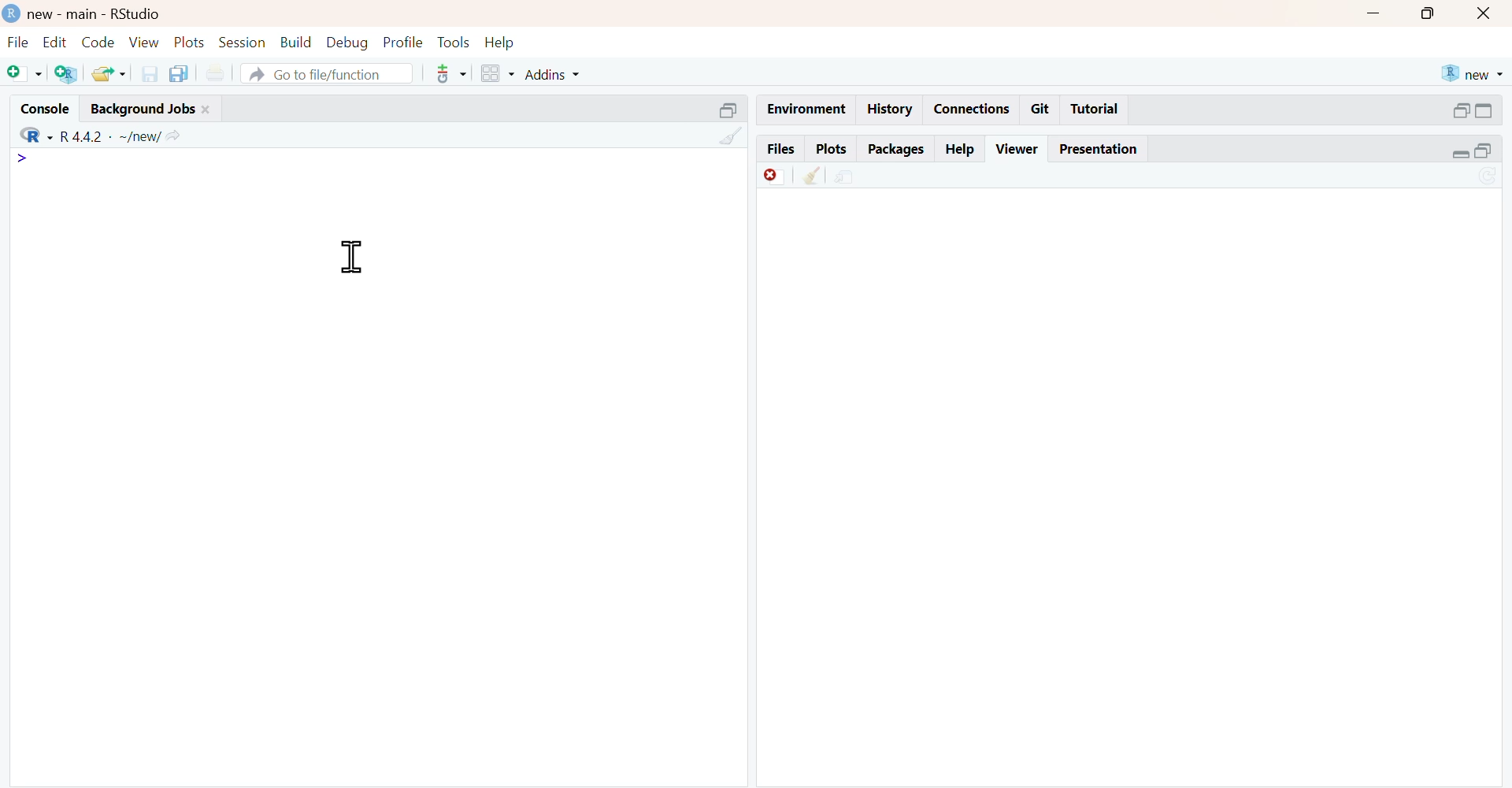 The height and width of the screenshot is (788, 1512). I want to click on background jobs, so click(143, 109).